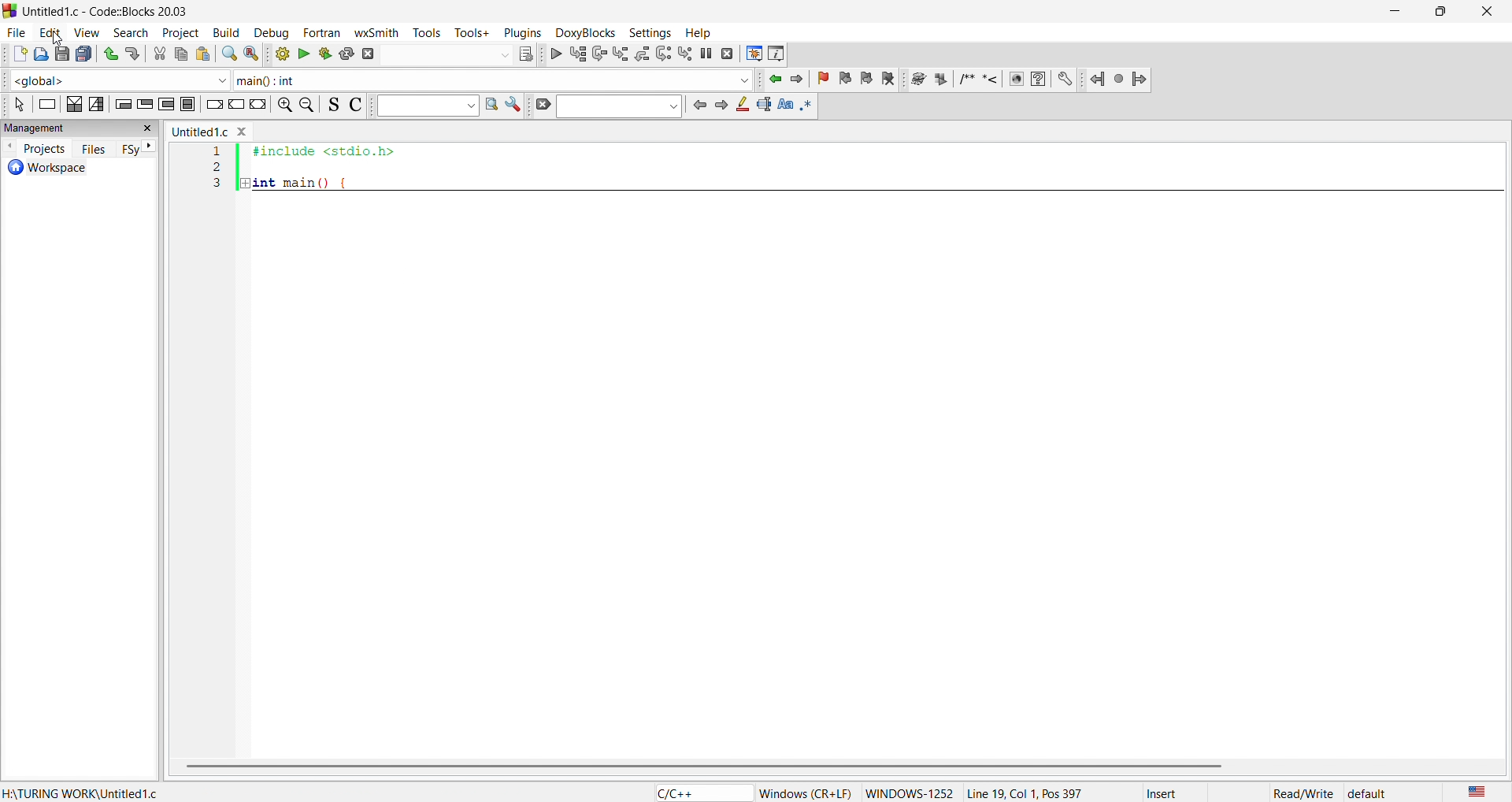 The width and height of the screenshot is (1512, 802). Describe the element at coordinates (917, 79) in the screenshot. I see `run doxy wizard` at that location.